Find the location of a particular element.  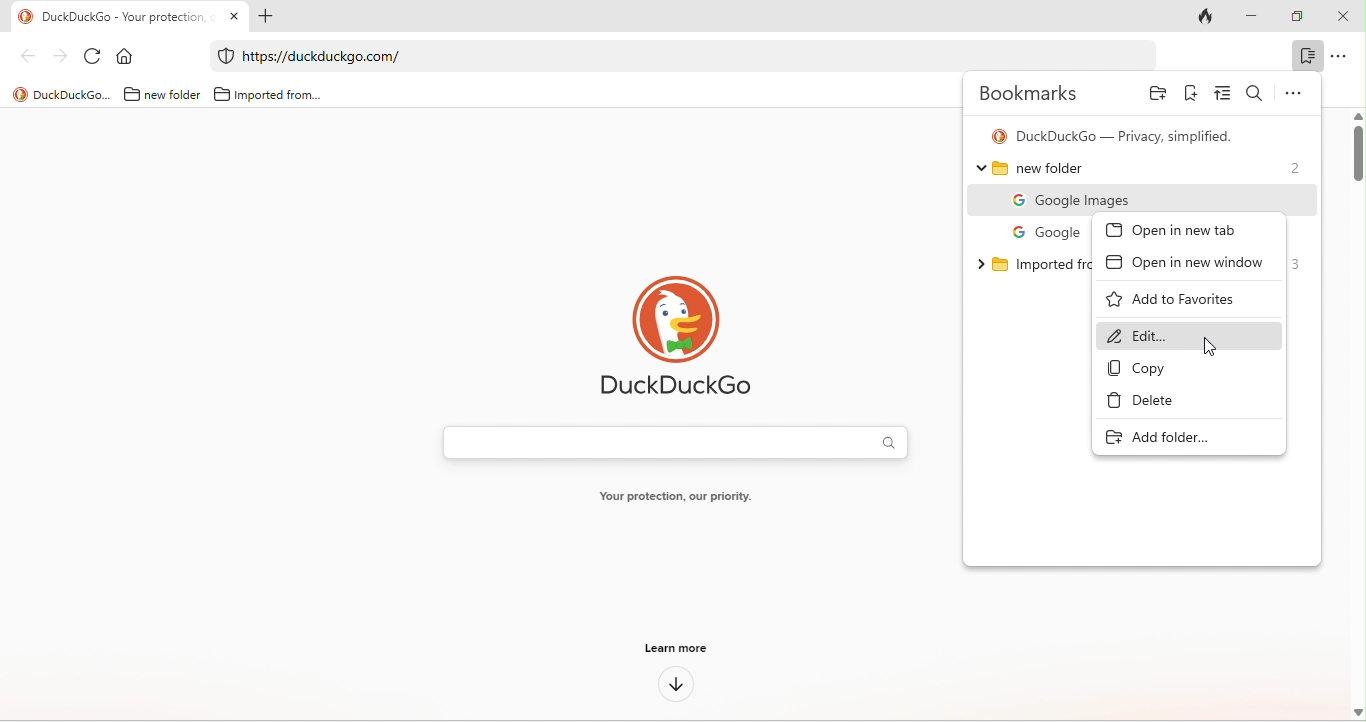

minimize is located at coordinates (1260, 17).